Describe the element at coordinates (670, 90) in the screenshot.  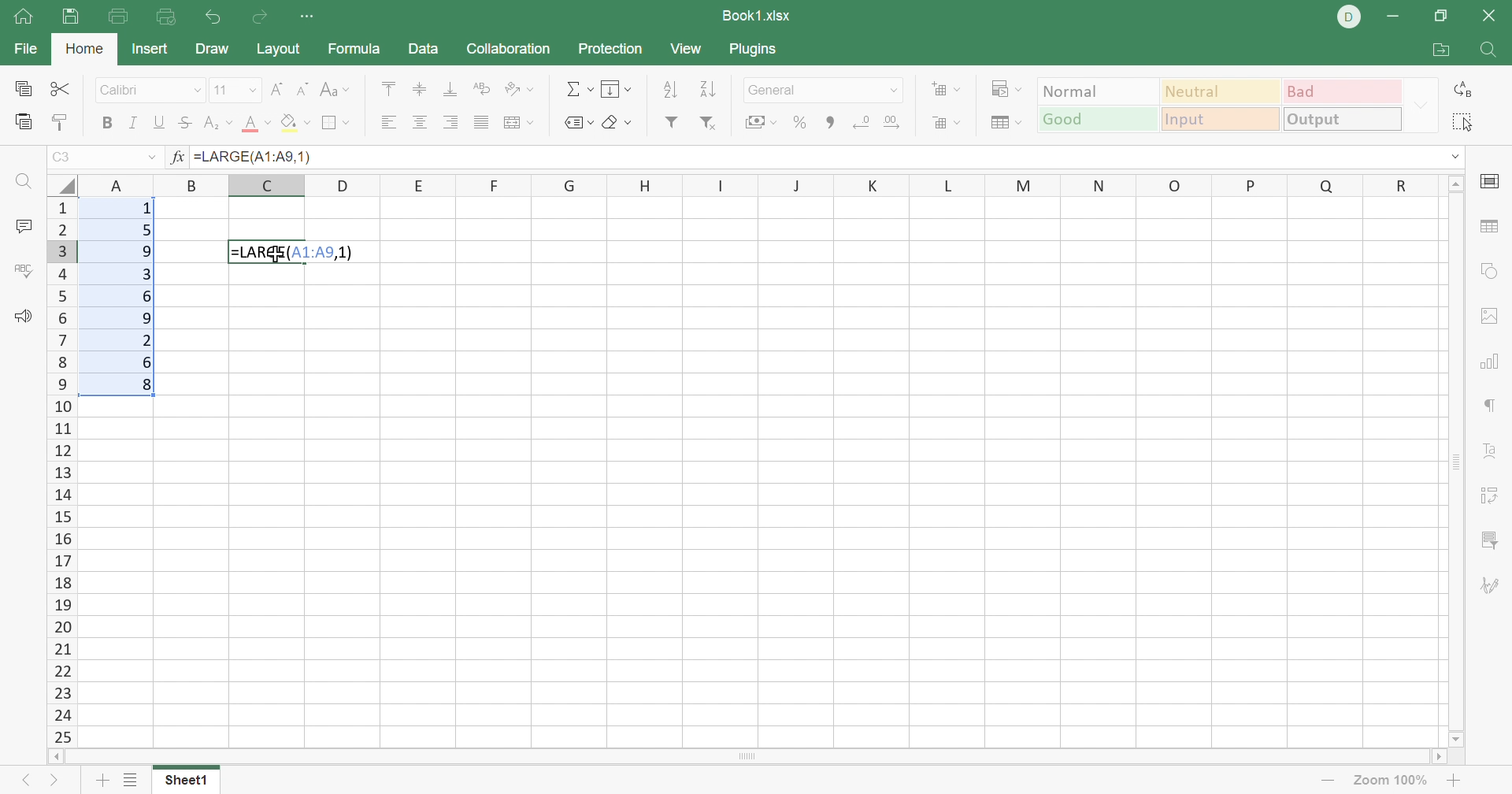
I see `Ascending order` at that location.